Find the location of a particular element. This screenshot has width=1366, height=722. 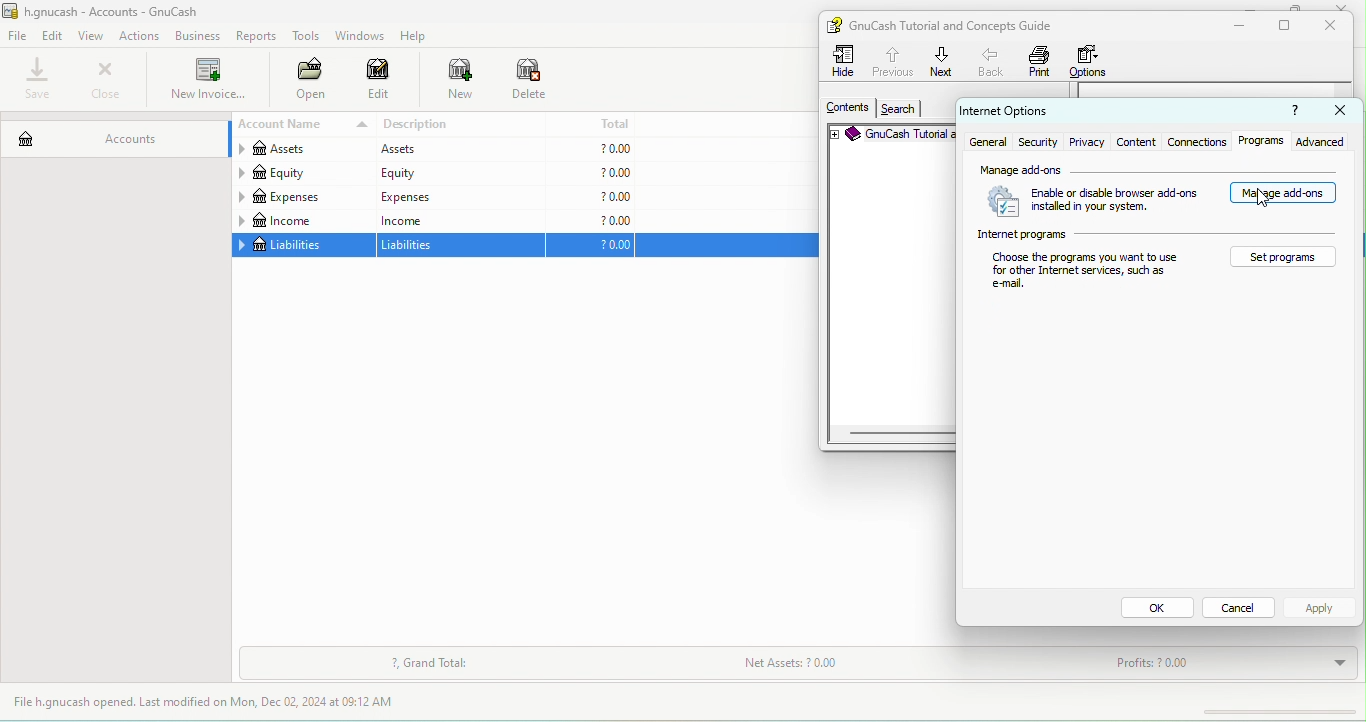

print is located at coordinates (1040, 61).